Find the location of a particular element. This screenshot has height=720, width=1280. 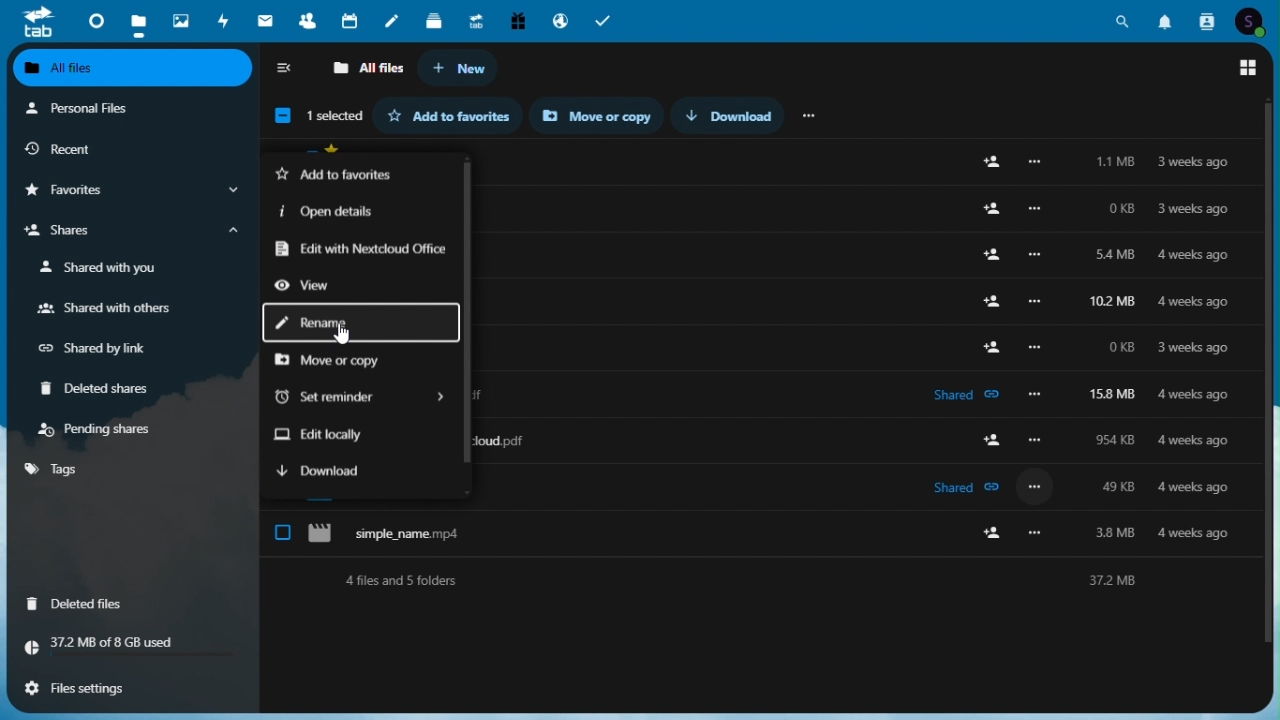

pending shares is located at coordinates (100, 429).